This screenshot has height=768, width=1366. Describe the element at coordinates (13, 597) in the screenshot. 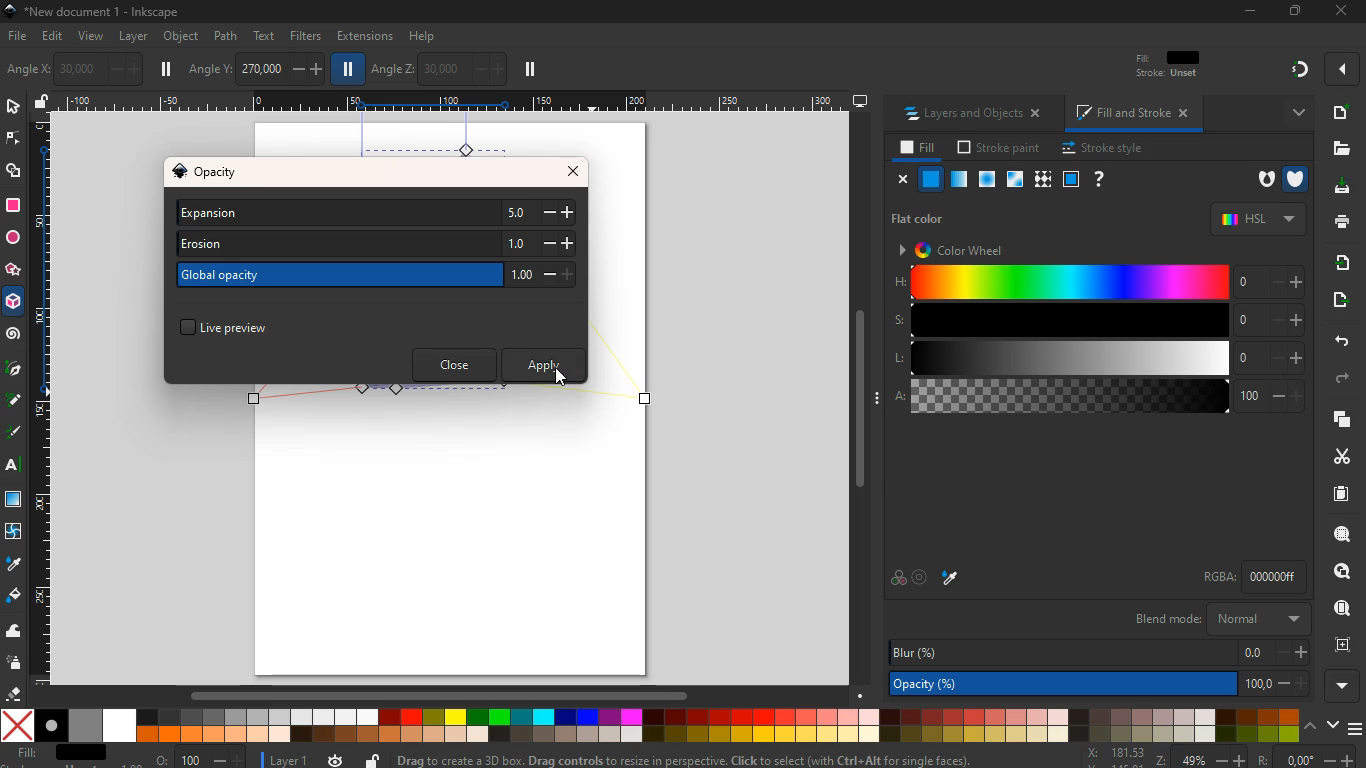

I see `paint` at that location.